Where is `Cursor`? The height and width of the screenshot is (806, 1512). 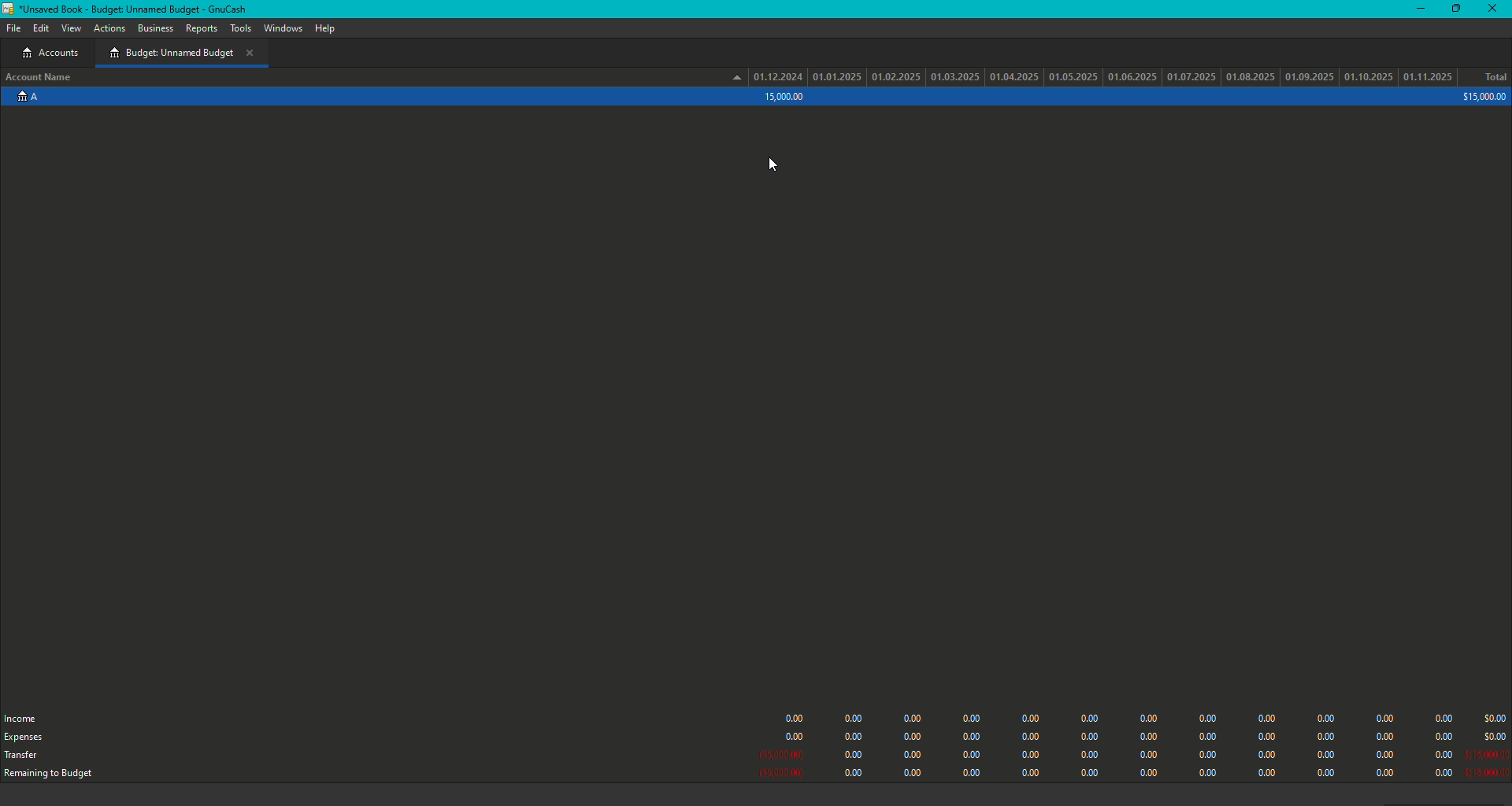
Cursor is located at coordinates (774, 165).